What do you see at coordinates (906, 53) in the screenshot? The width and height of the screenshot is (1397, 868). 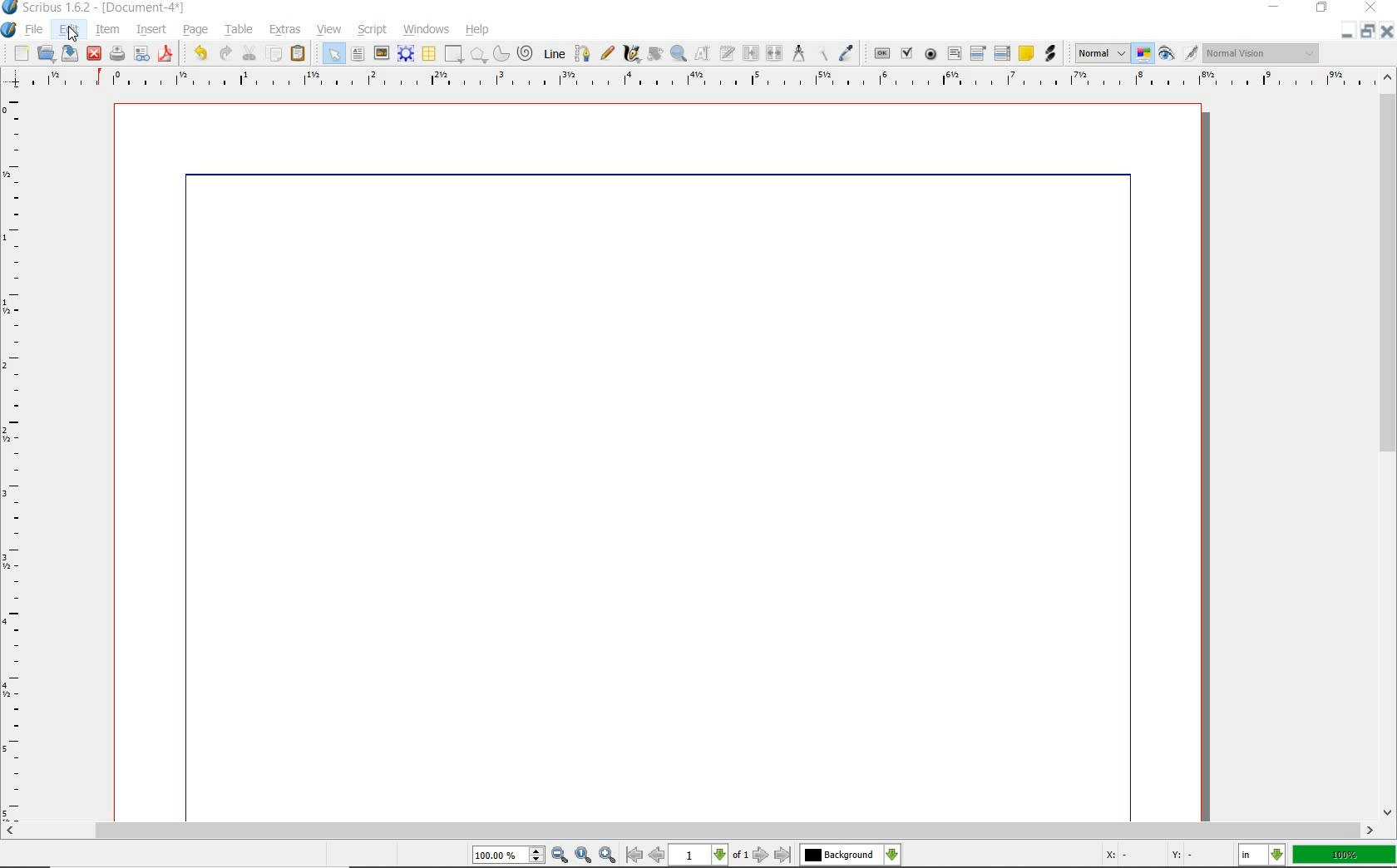 I see `pdf check box` at bounding box center [906, 53].